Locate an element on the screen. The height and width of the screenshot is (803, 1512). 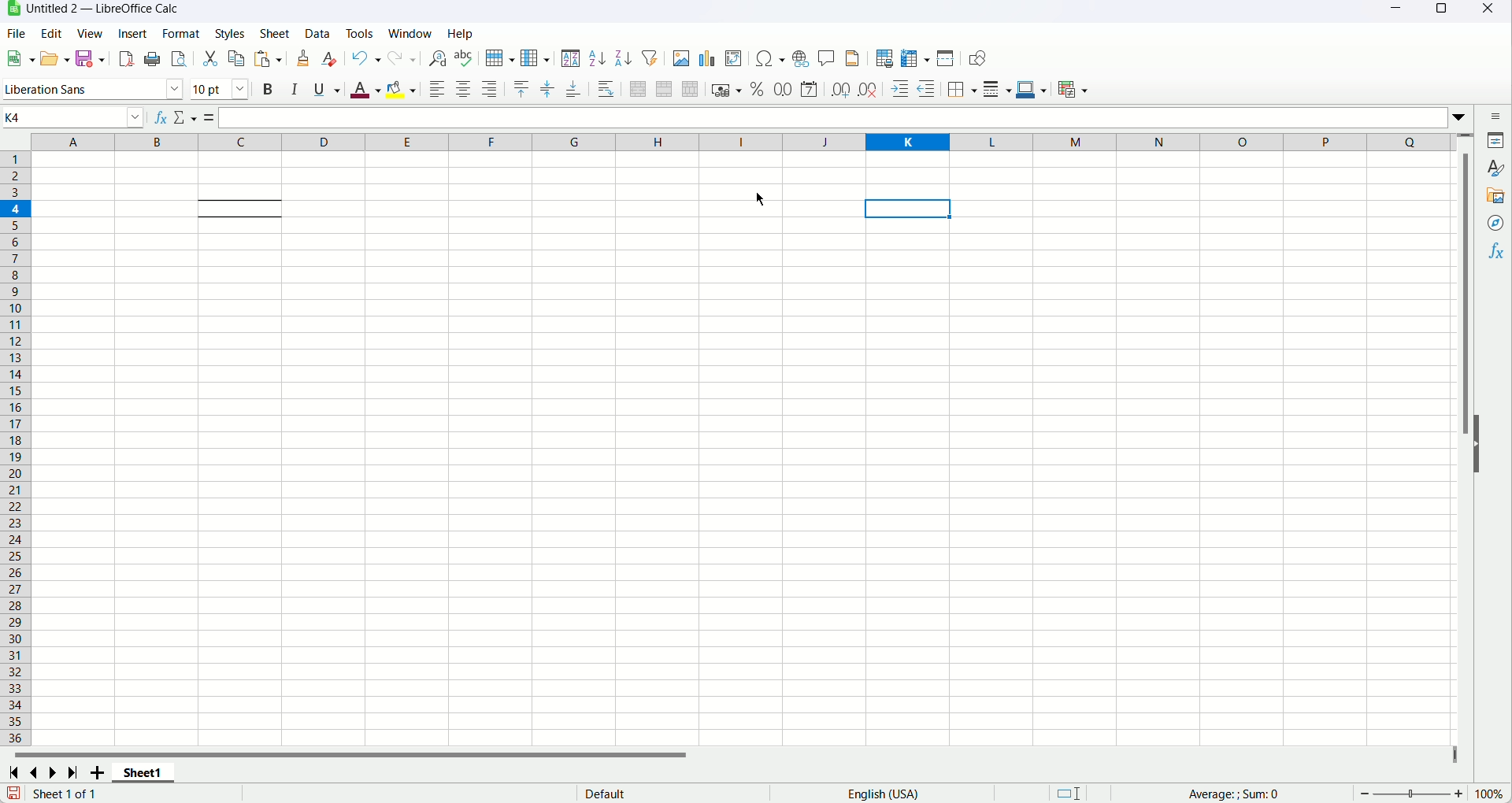
Align bottom is located at coordinates (574, 89).